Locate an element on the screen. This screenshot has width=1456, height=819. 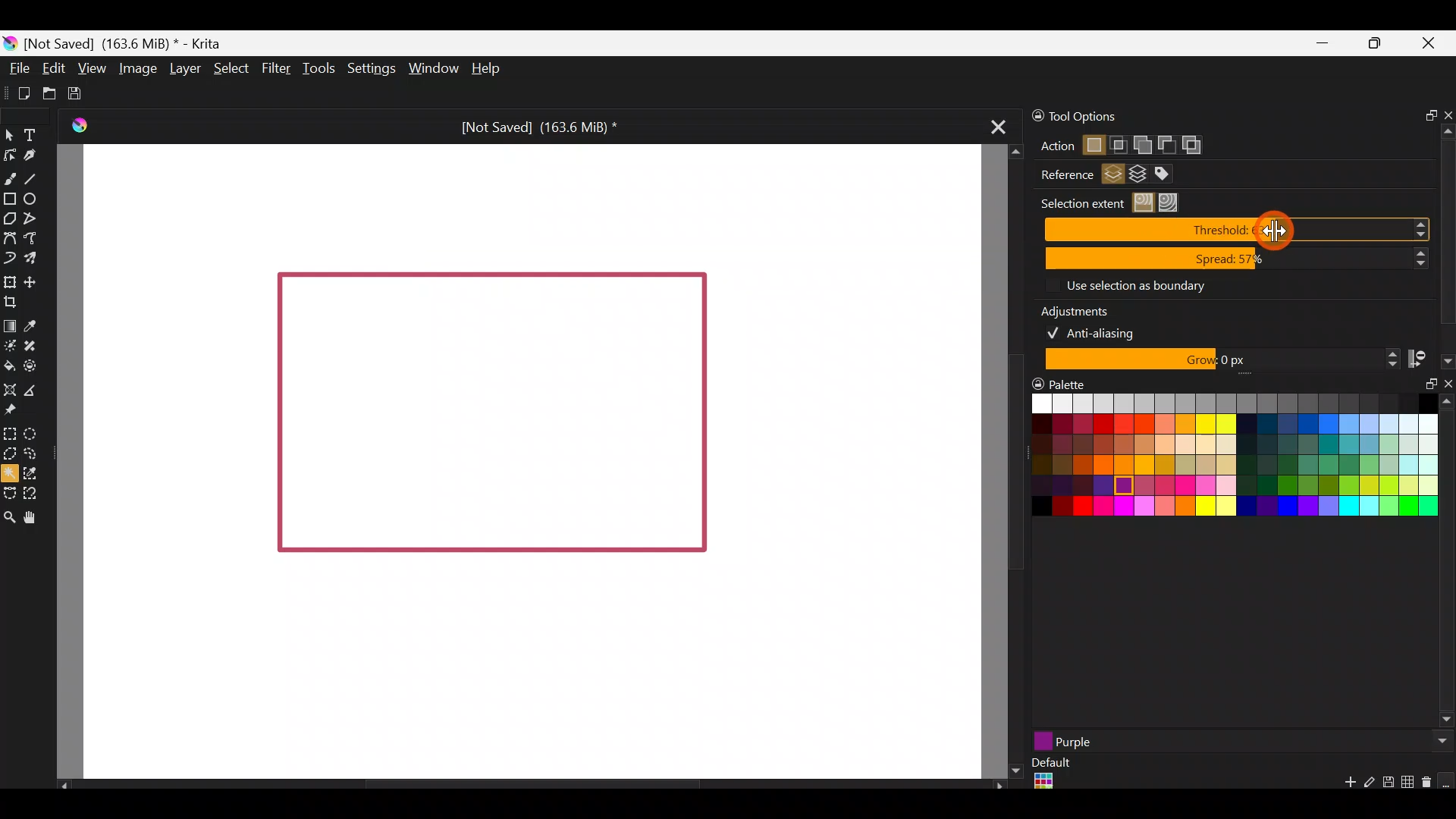
Krita logo is located at coordinates (11, 42).